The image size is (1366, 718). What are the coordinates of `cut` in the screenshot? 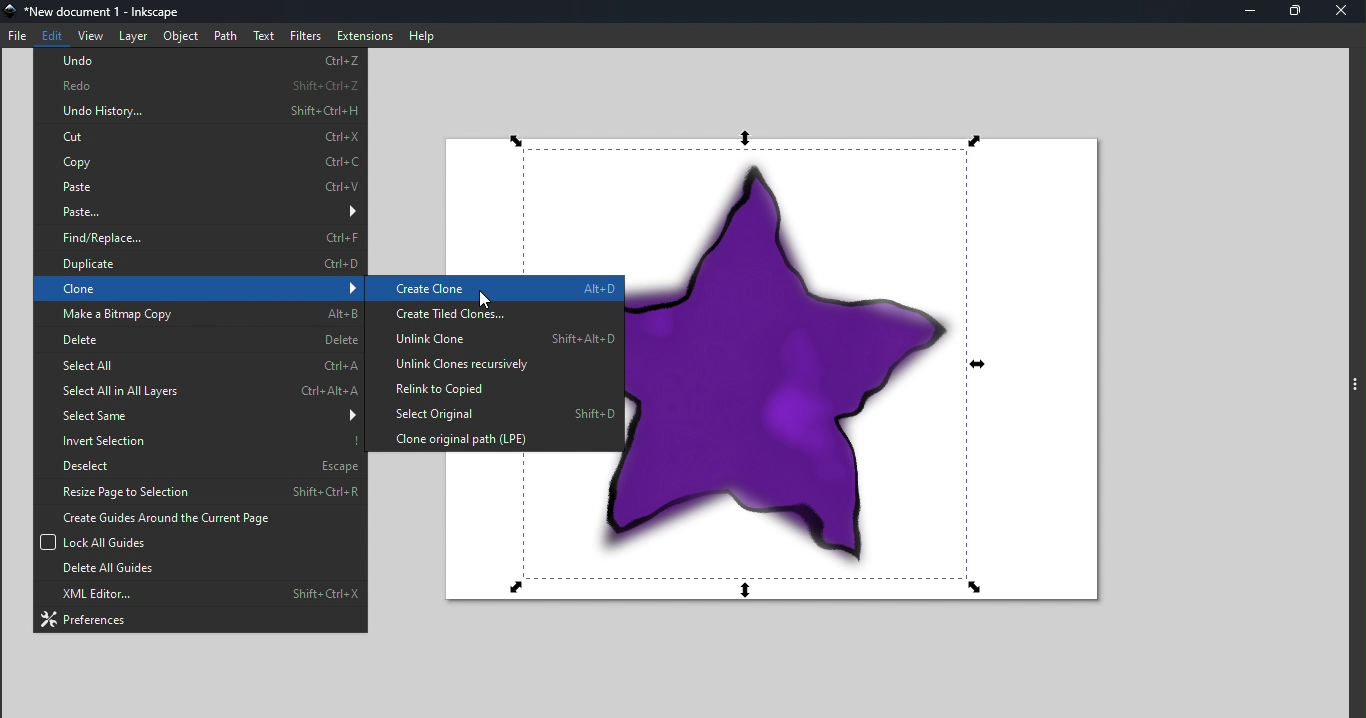 It's located at (202, 138).